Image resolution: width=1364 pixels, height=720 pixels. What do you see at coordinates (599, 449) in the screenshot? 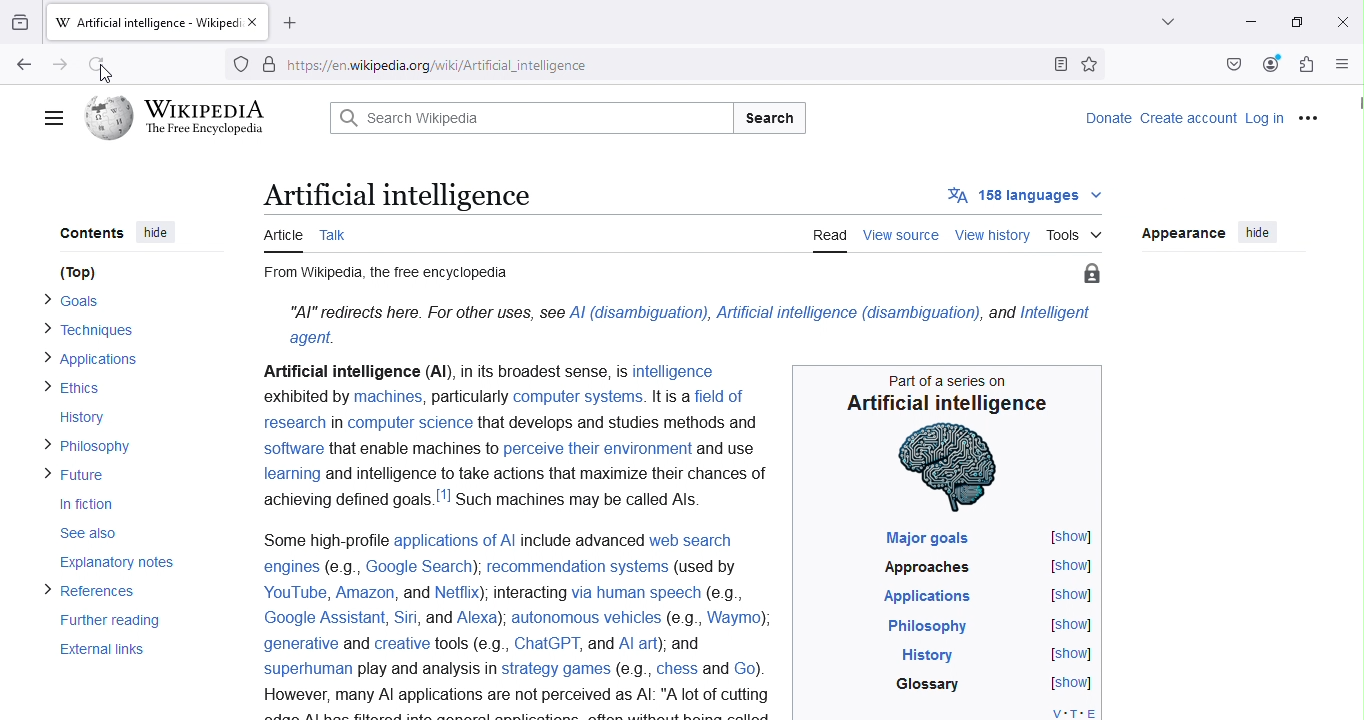
I see `perceive their environment` at bounding box center [599, 449].